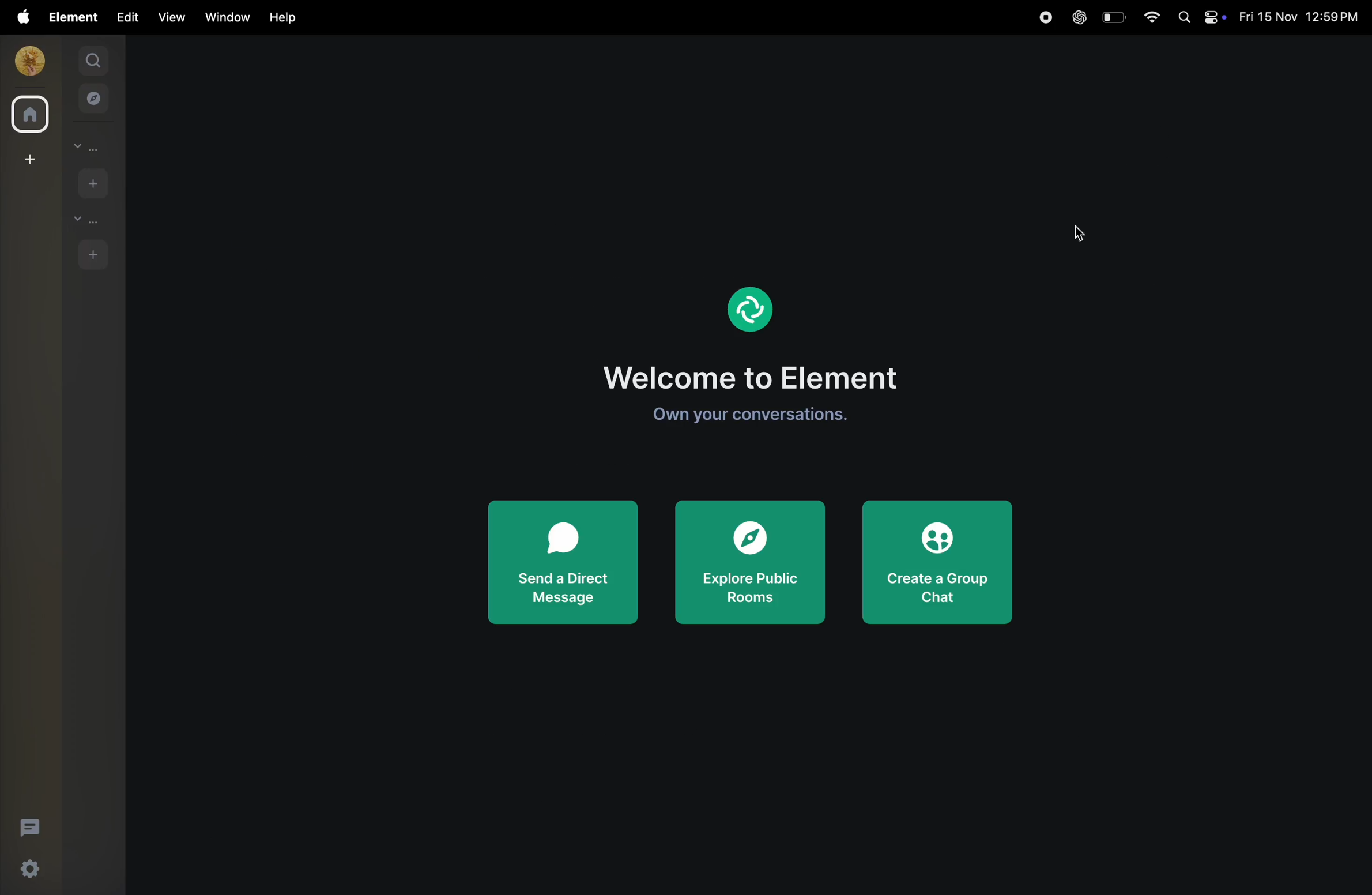 This screenshot has width=1372, height=895. I want to click on view, so click(168, 17).